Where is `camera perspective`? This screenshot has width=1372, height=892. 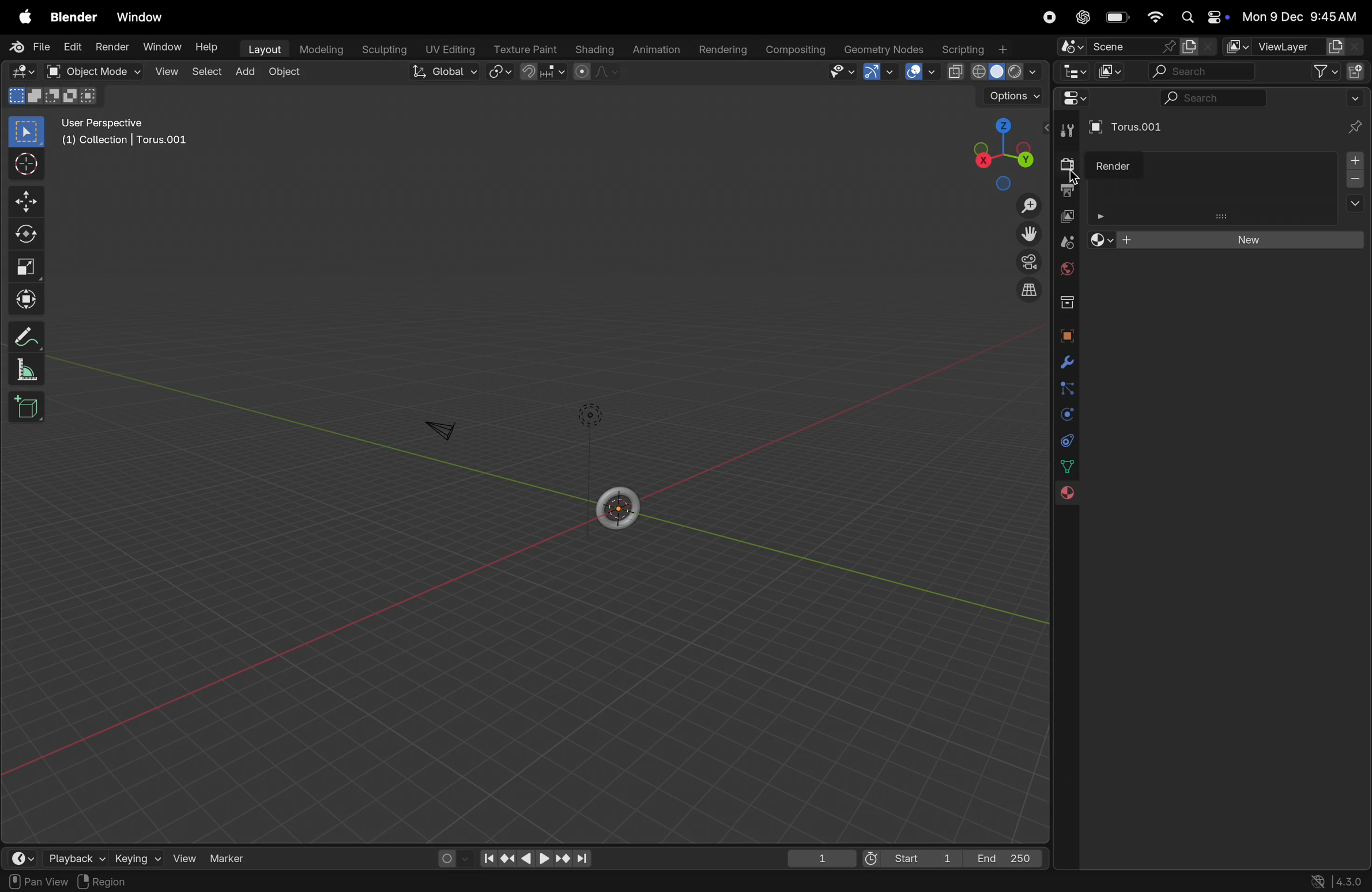
camera perspective is located at coordinates (1026, 261).